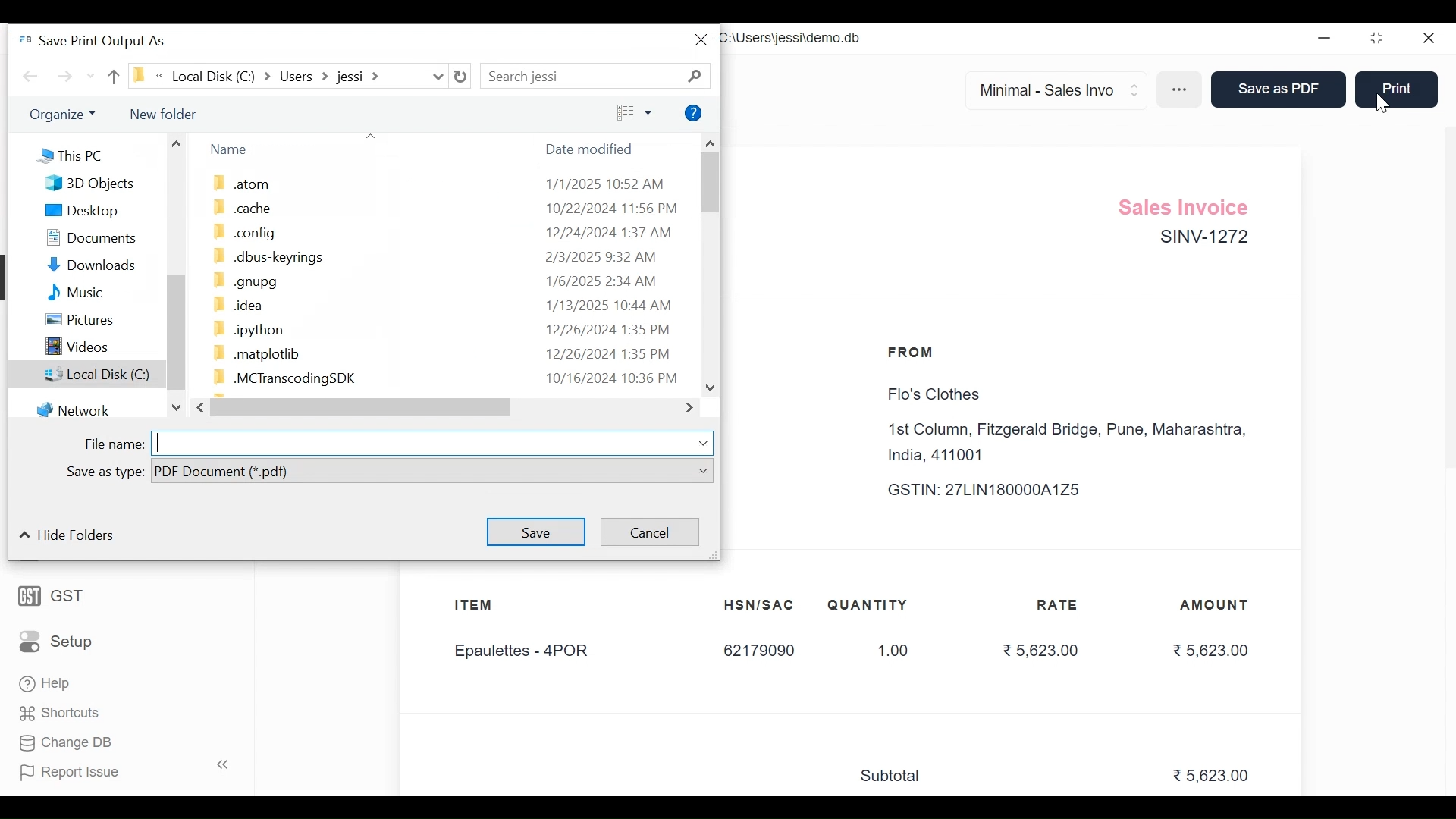 This screenshot has height=819, width=1456. Describe the element at coordinates (241, 207) in the screenshot. I see `cache` at that location.